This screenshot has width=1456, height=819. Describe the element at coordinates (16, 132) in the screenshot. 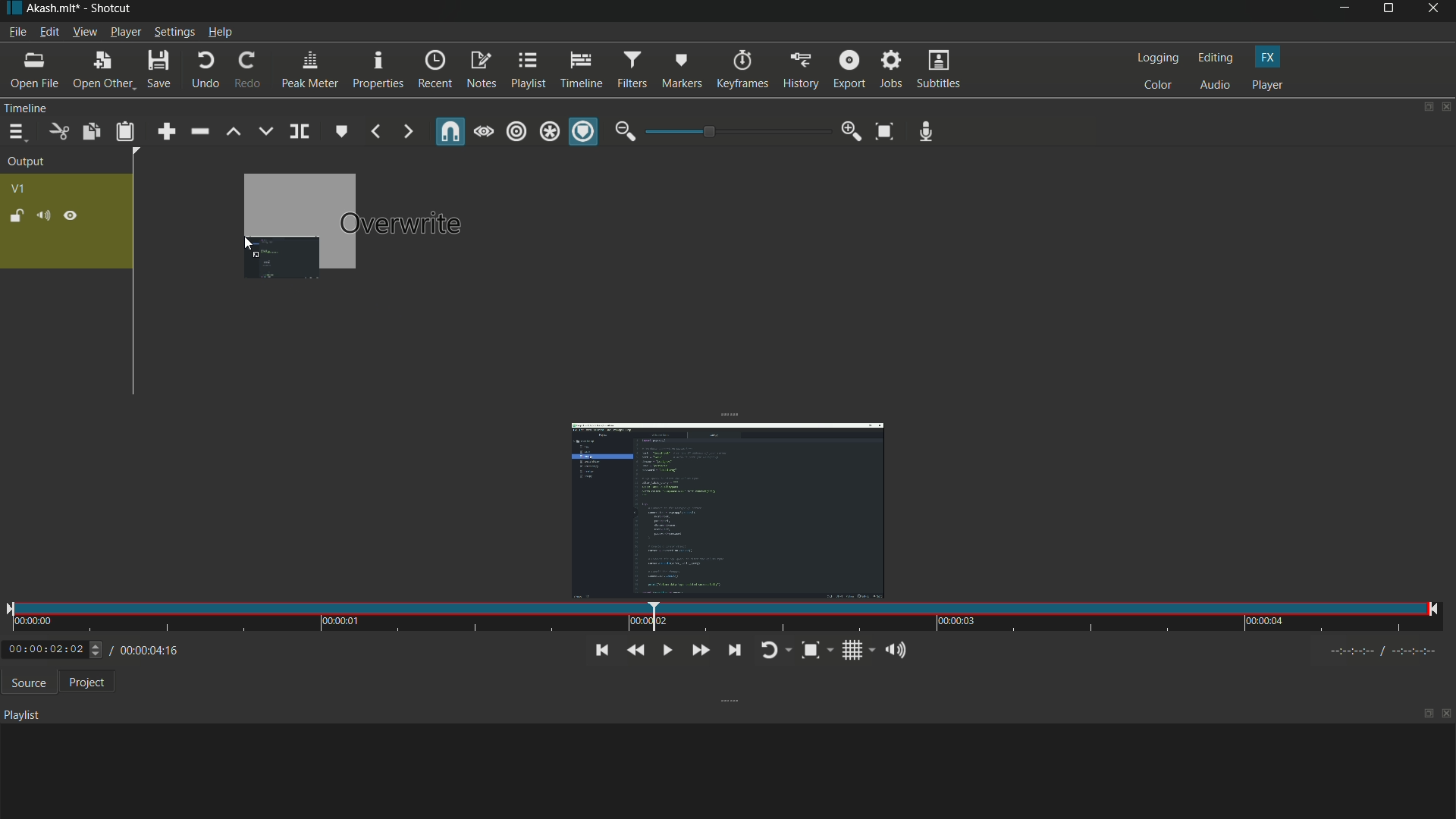

I see `timeline menu` at that location.